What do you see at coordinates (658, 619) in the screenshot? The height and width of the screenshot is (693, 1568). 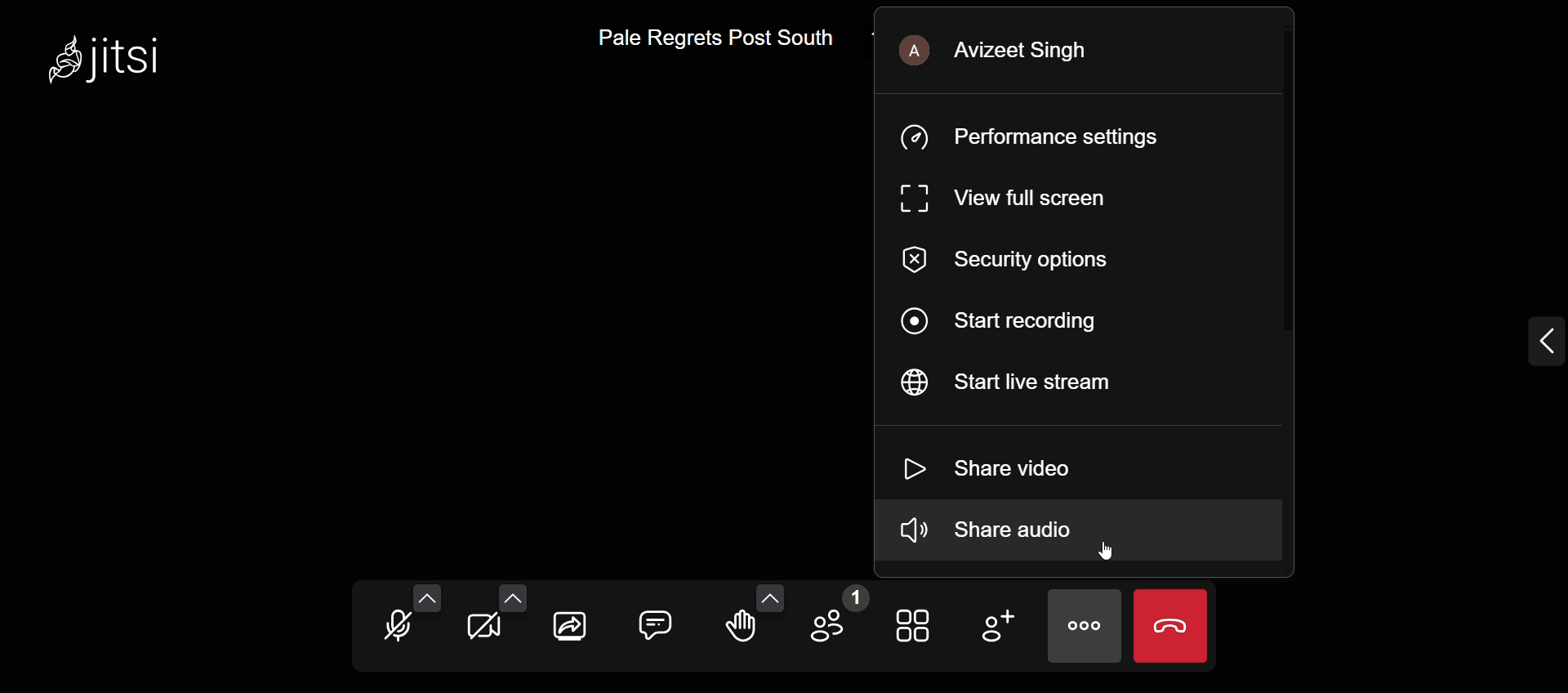 I see `chat` at bounding box center [658, 619].